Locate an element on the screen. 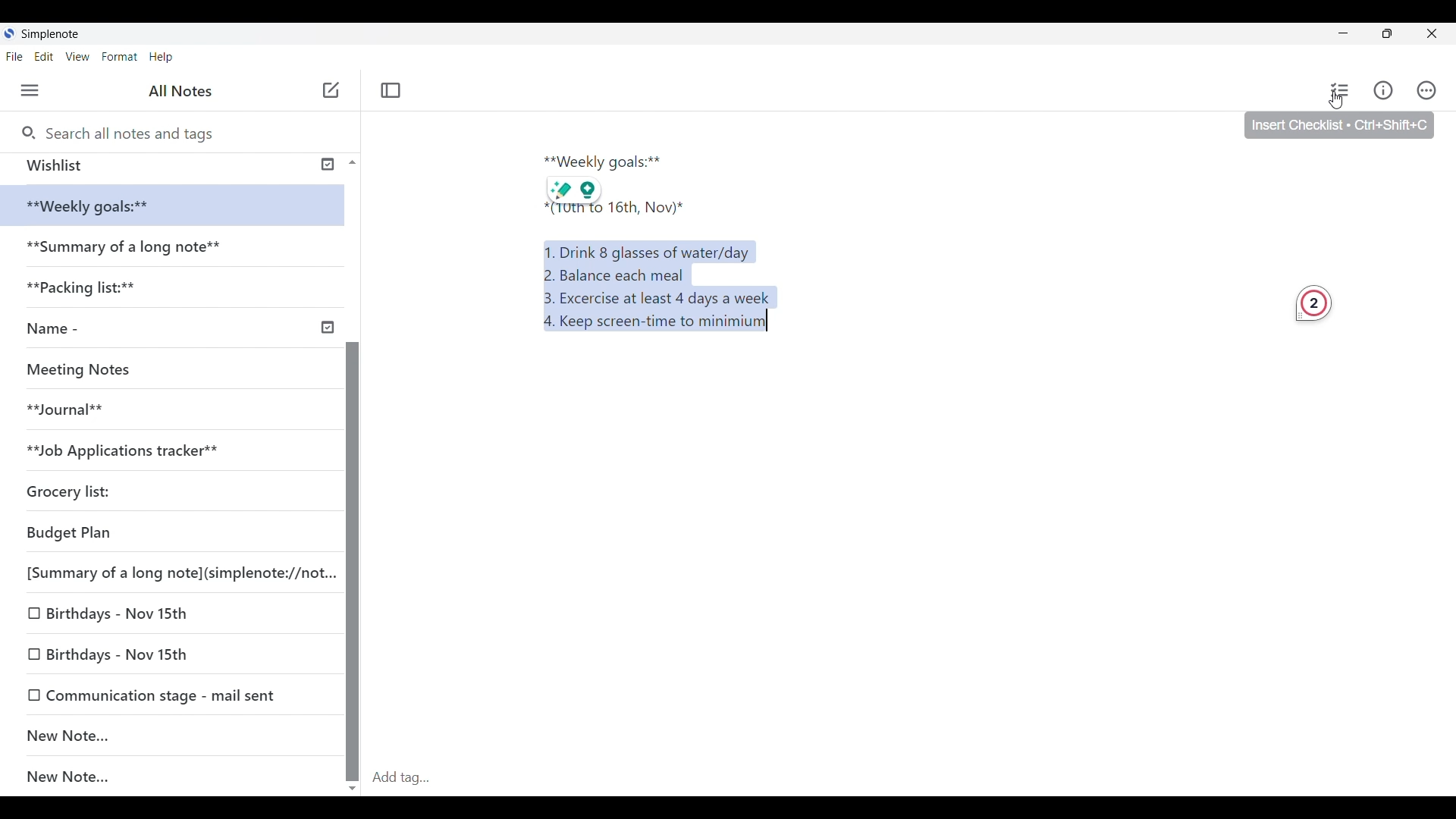 Image resolution: width=1456 pixels, height=819 pixels. Grocery list: is located at coordinates (92, 487).